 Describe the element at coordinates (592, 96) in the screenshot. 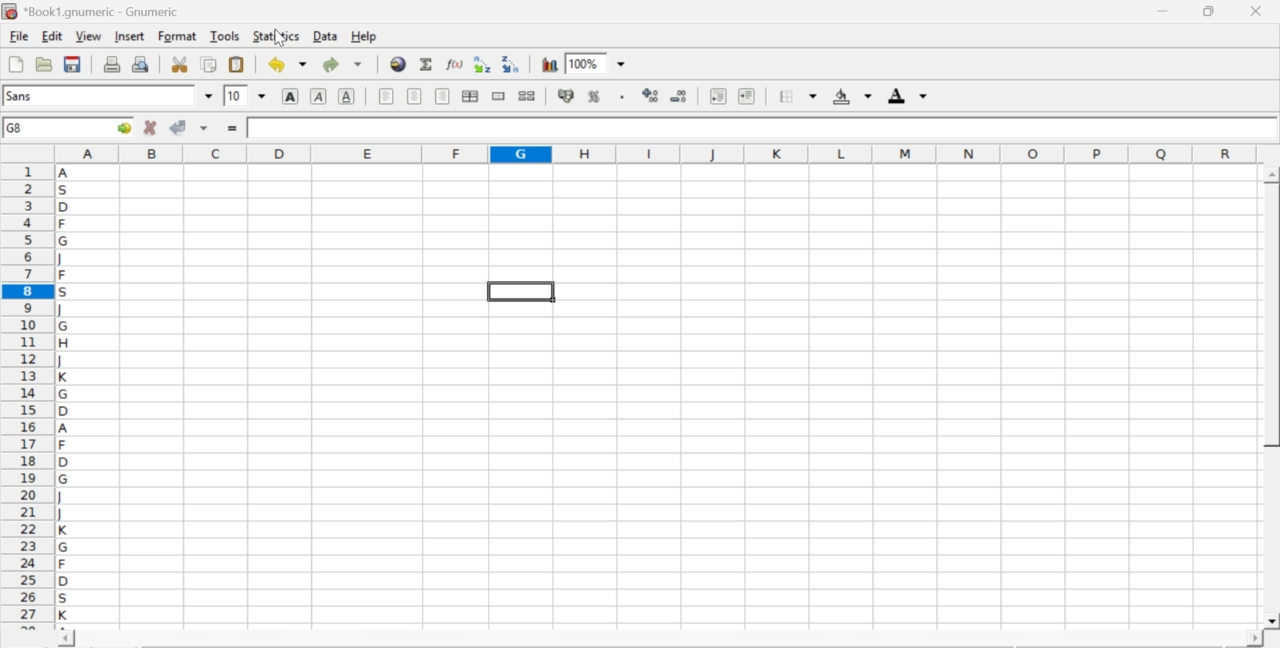

I see `format selection as percentage` at that location.